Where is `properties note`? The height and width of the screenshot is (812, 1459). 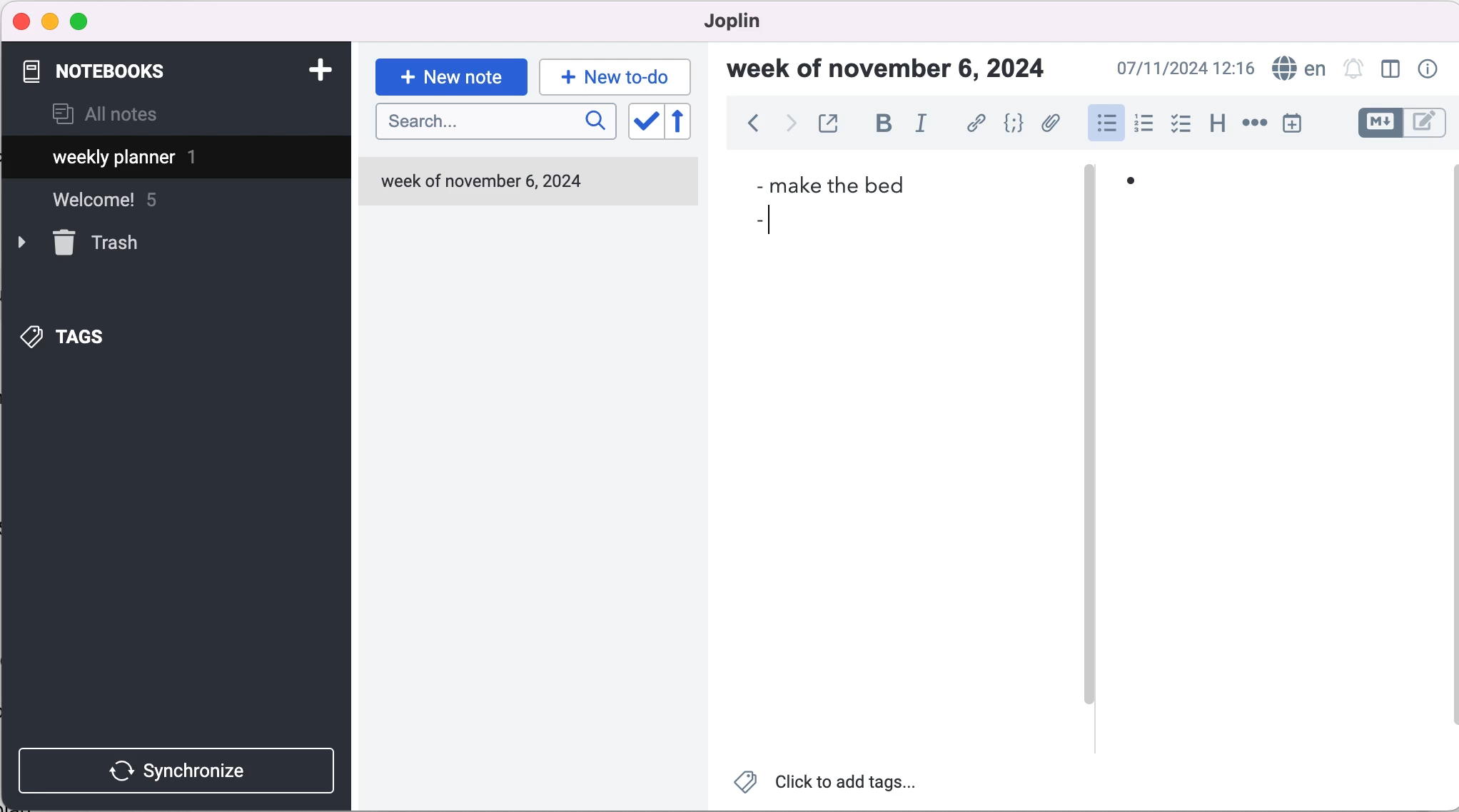 properties note is located at coordinates (1430, 68).